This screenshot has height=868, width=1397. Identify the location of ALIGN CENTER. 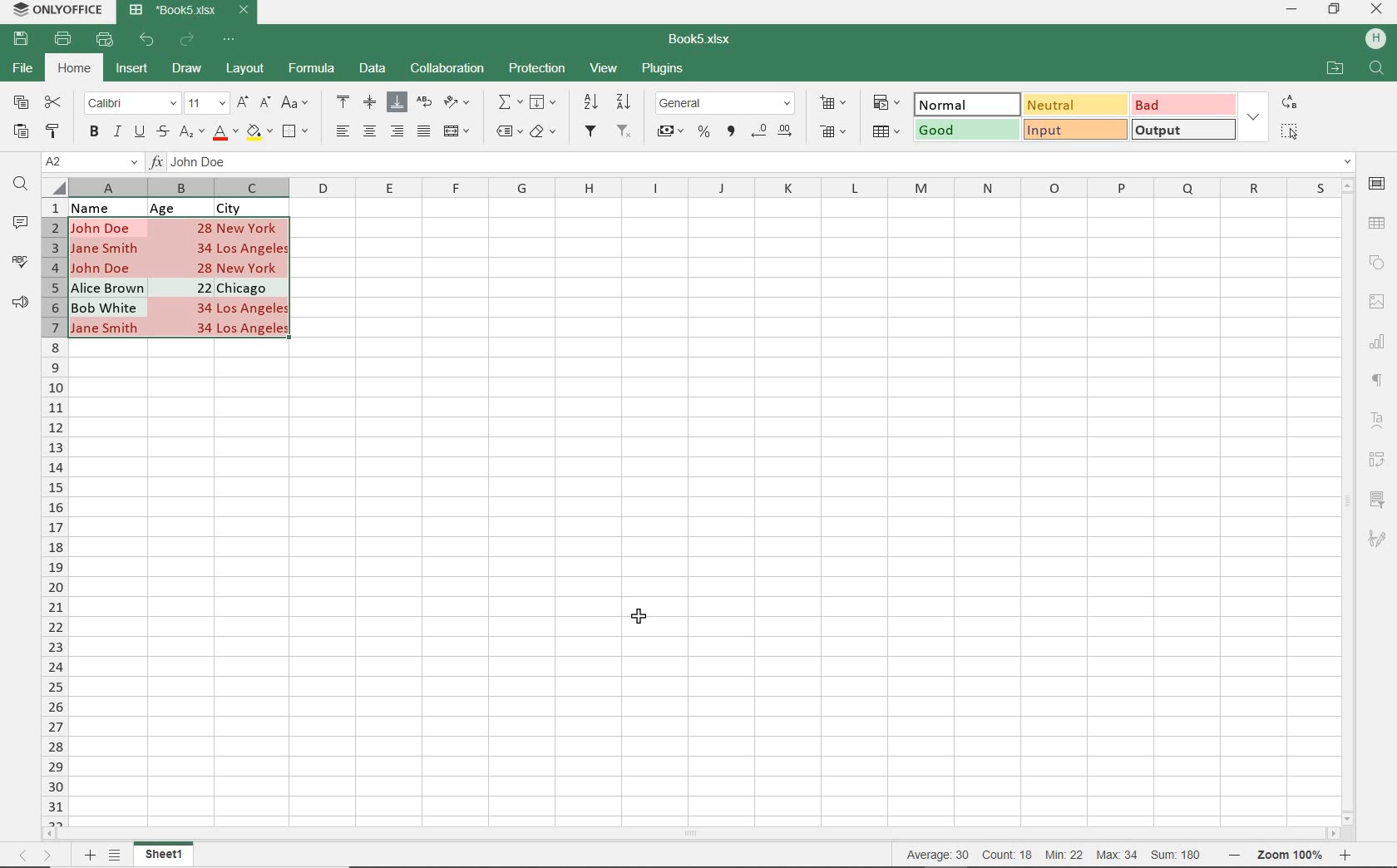
(368, 132).